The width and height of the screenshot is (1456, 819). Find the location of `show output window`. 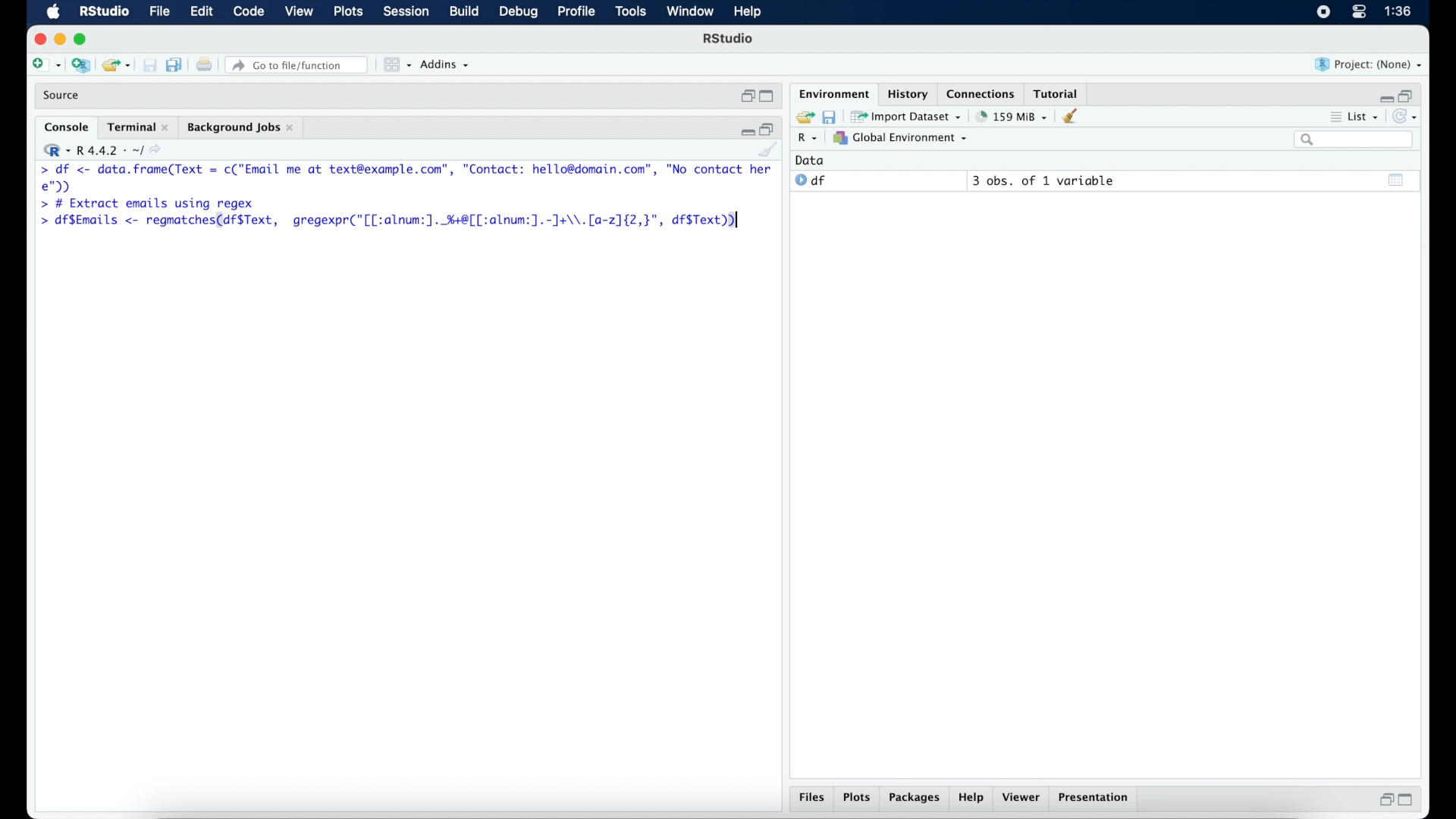

show output window is located at coordinates (1396, 181).